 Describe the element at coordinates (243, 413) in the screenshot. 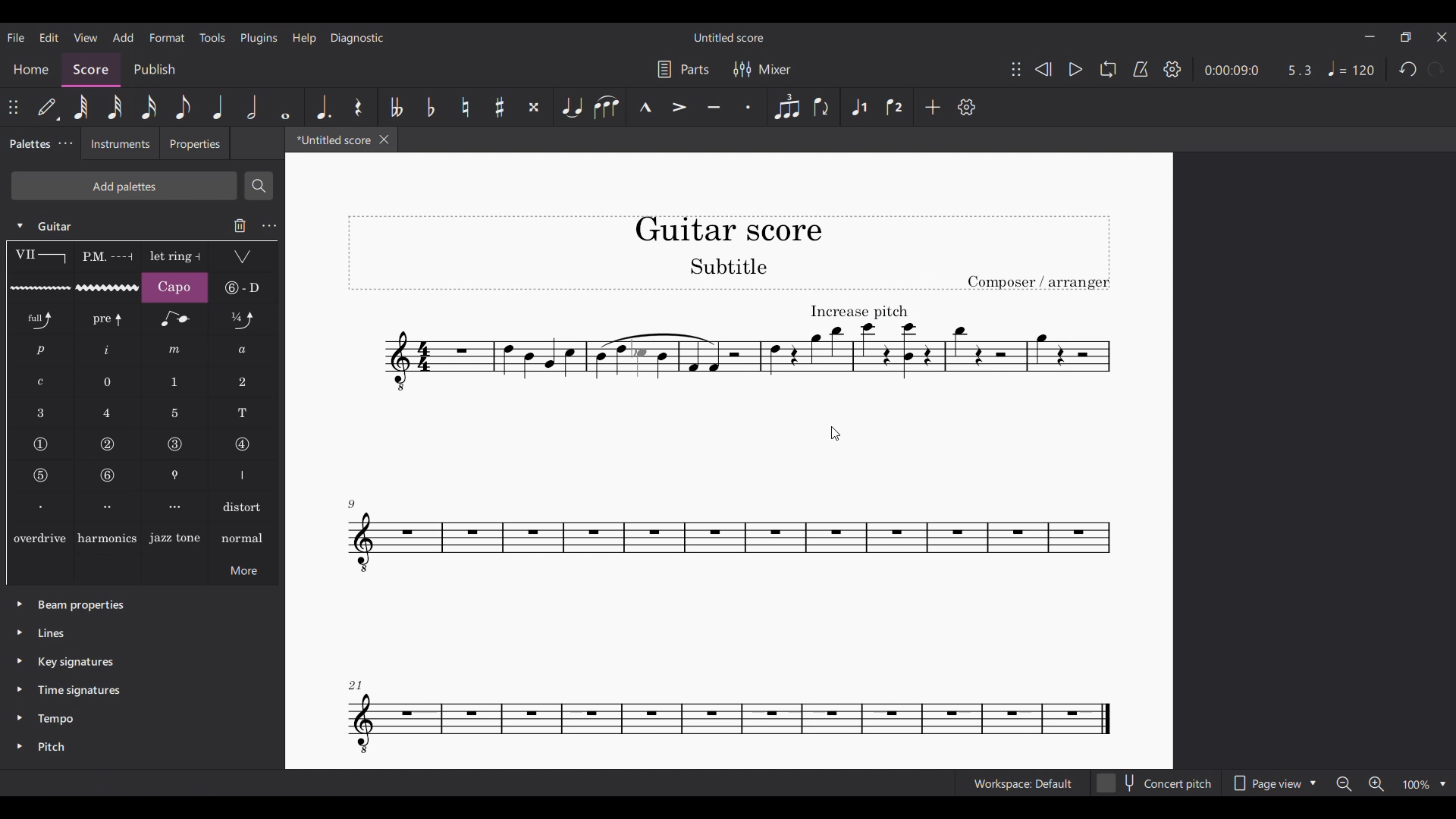

I see `LH guitar fingering T` at that location.